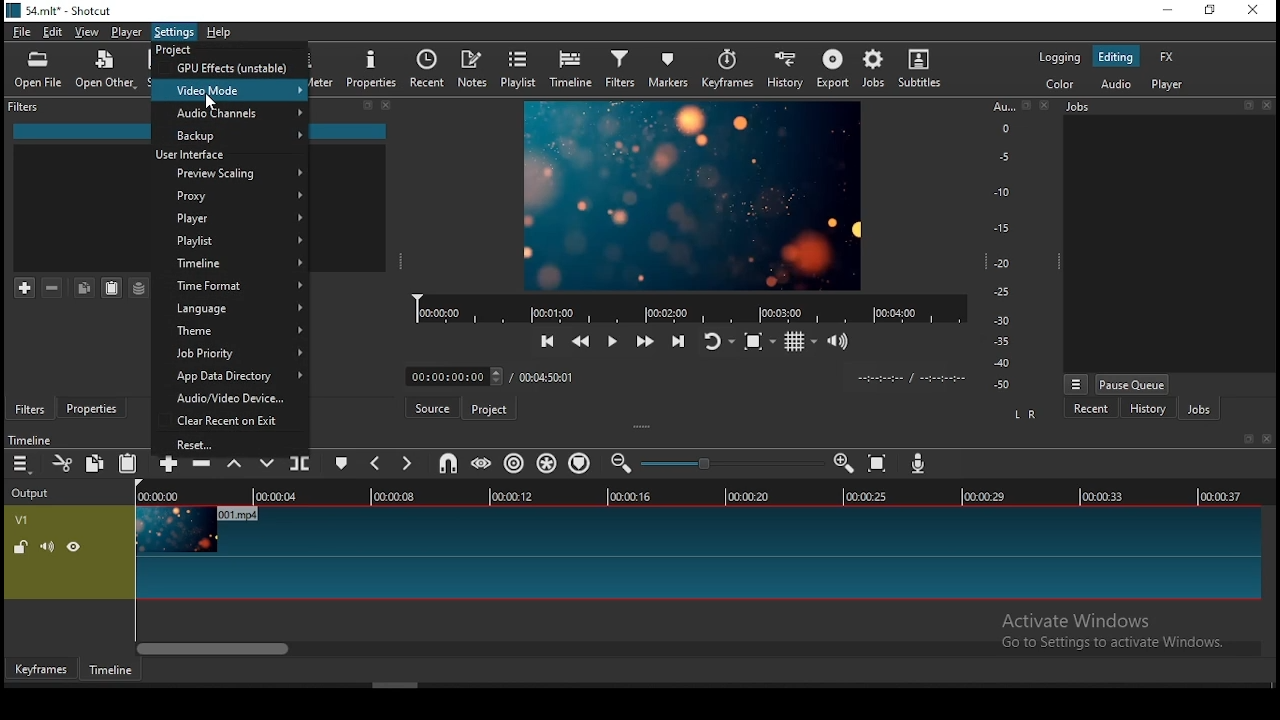  What do you see at coordinates (1246, 440) in the screenshot?
I see `restore` at bounding box center [1246, 440].